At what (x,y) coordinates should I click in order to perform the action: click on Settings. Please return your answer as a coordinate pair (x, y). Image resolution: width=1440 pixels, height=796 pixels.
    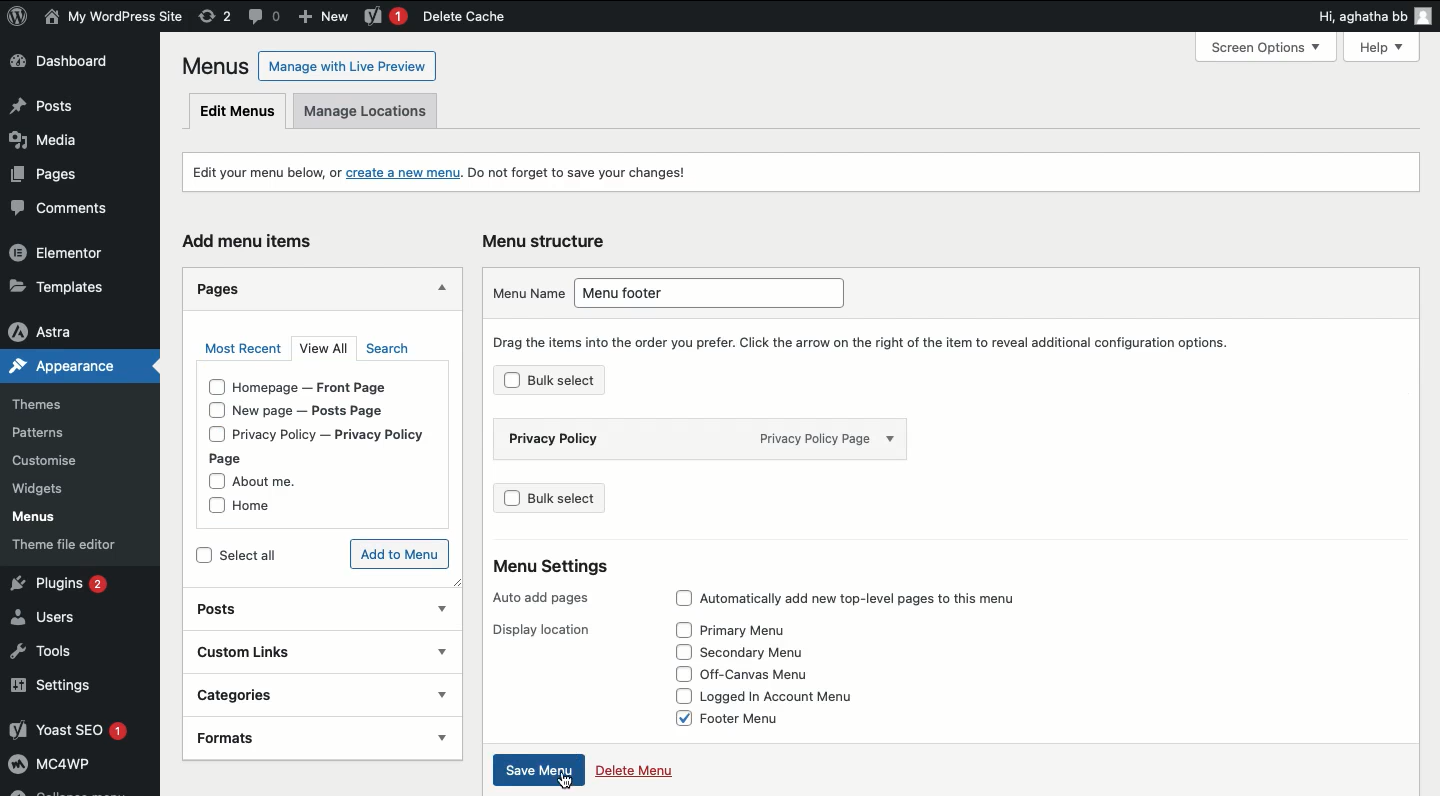
    Looking at the image, I should click on (75, 687).